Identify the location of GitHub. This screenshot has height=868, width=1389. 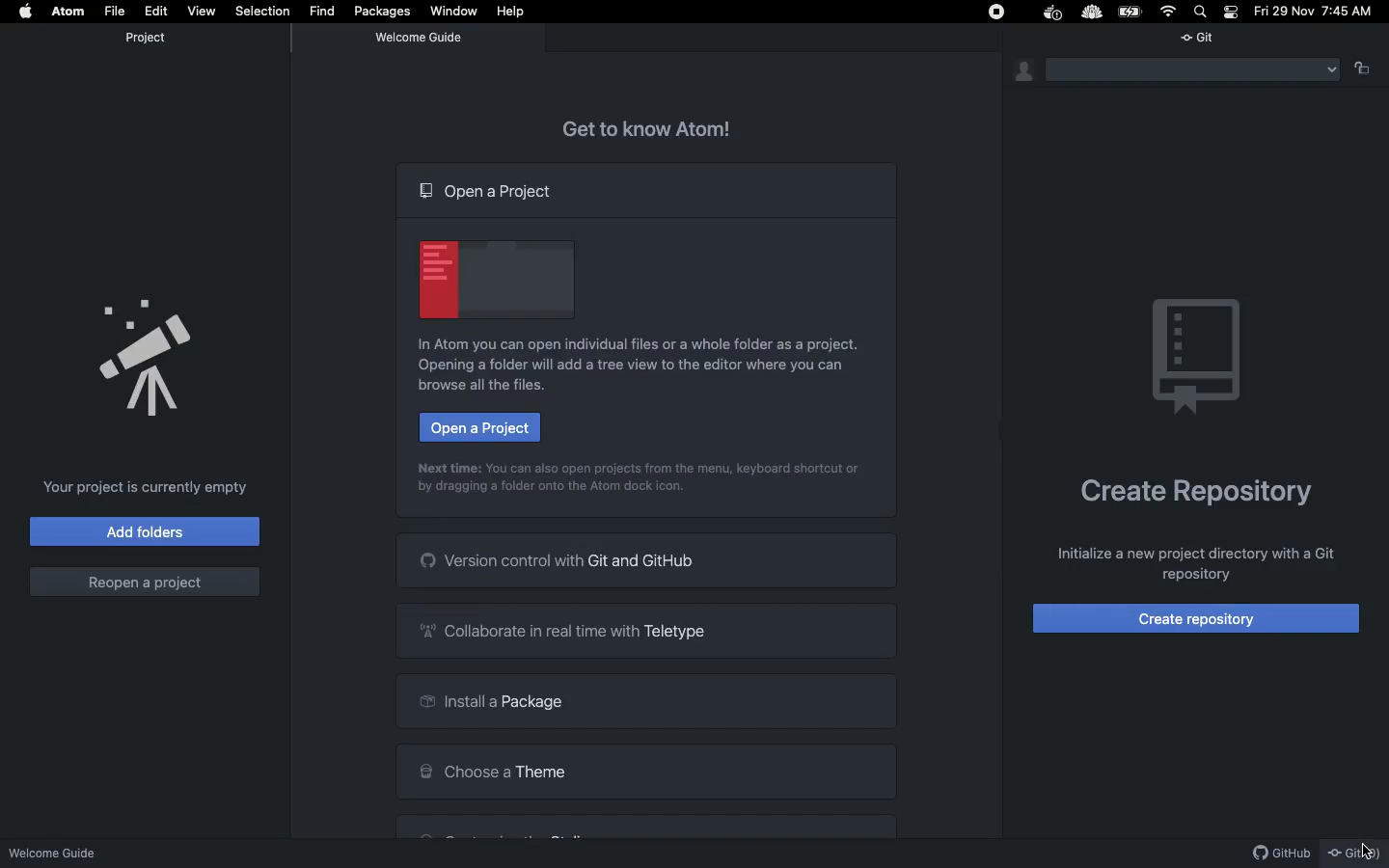
(1275, 852).